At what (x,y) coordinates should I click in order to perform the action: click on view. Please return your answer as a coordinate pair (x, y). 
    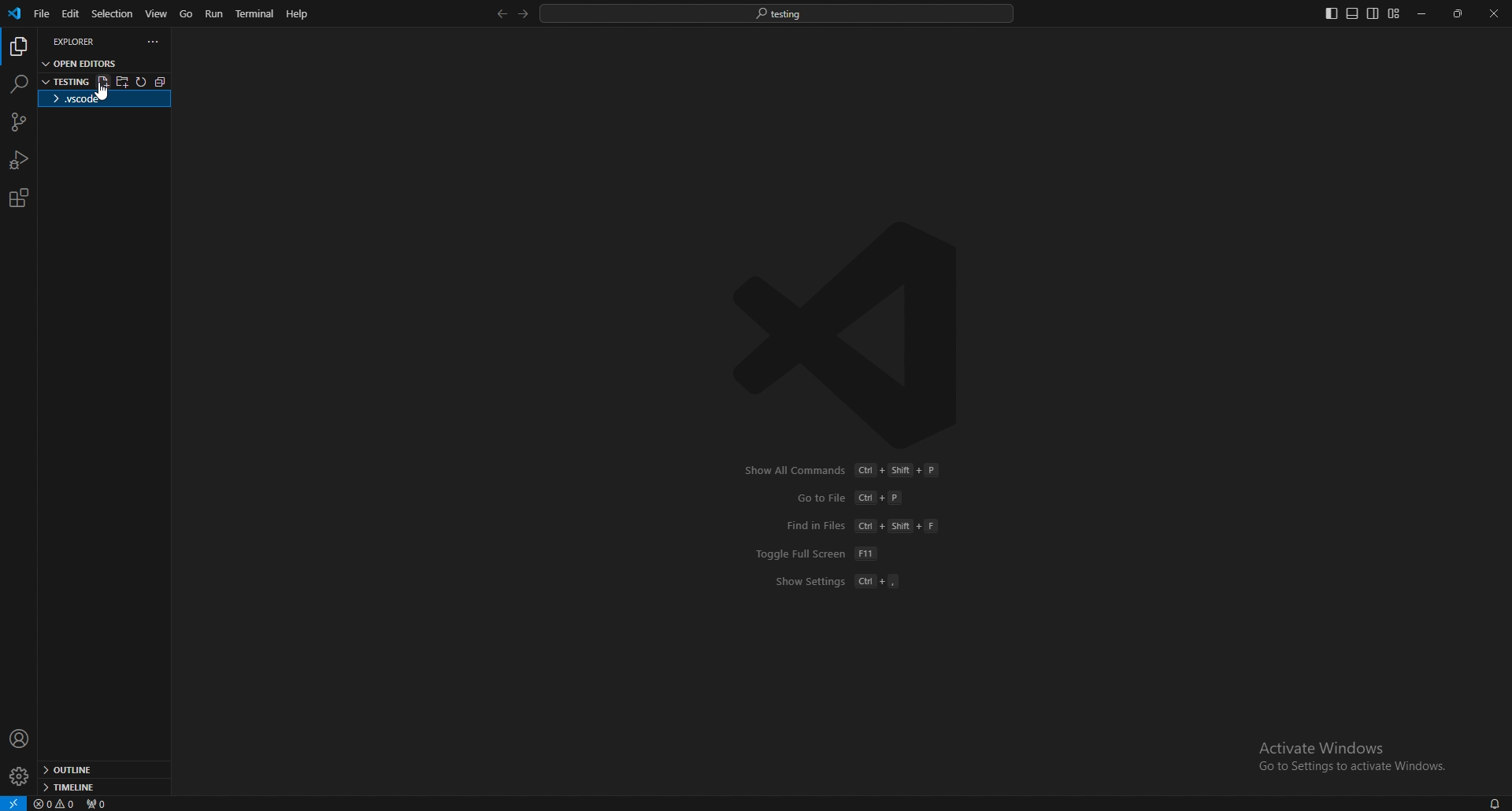
    Looking at the image, I should click on (157, 13).